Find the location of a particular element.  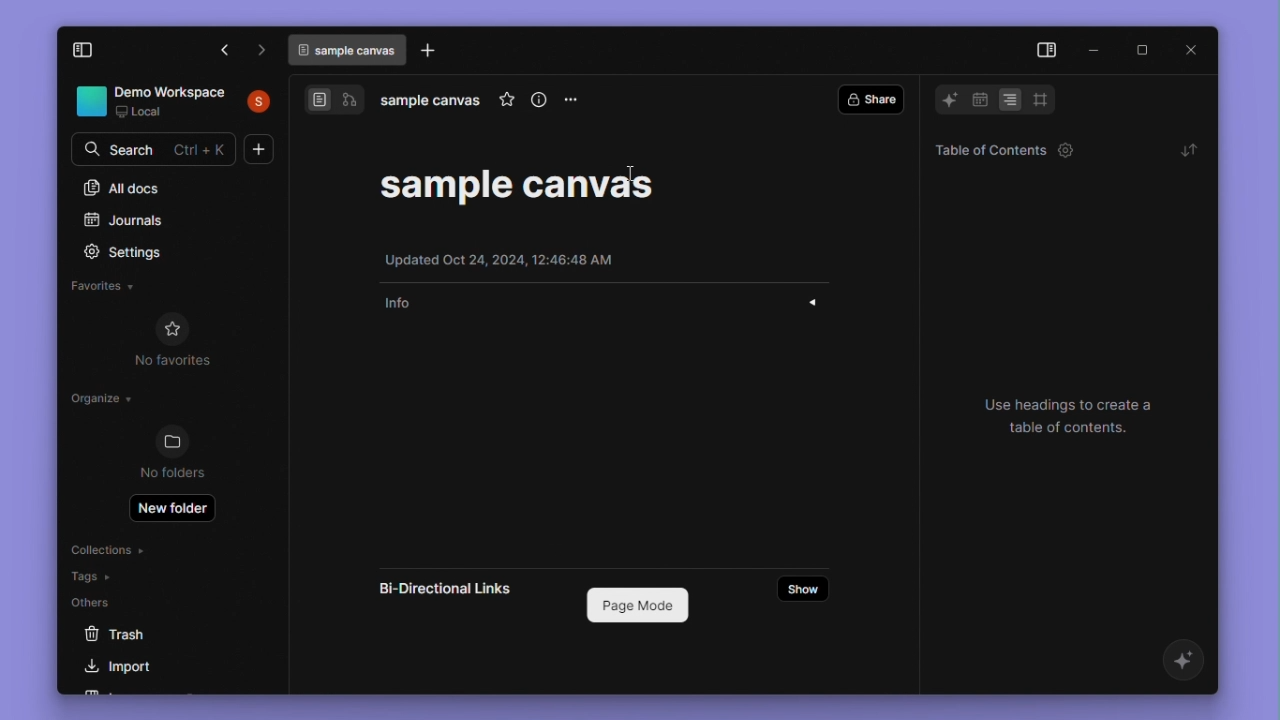

Favourite is located at coordinates (106, 286).